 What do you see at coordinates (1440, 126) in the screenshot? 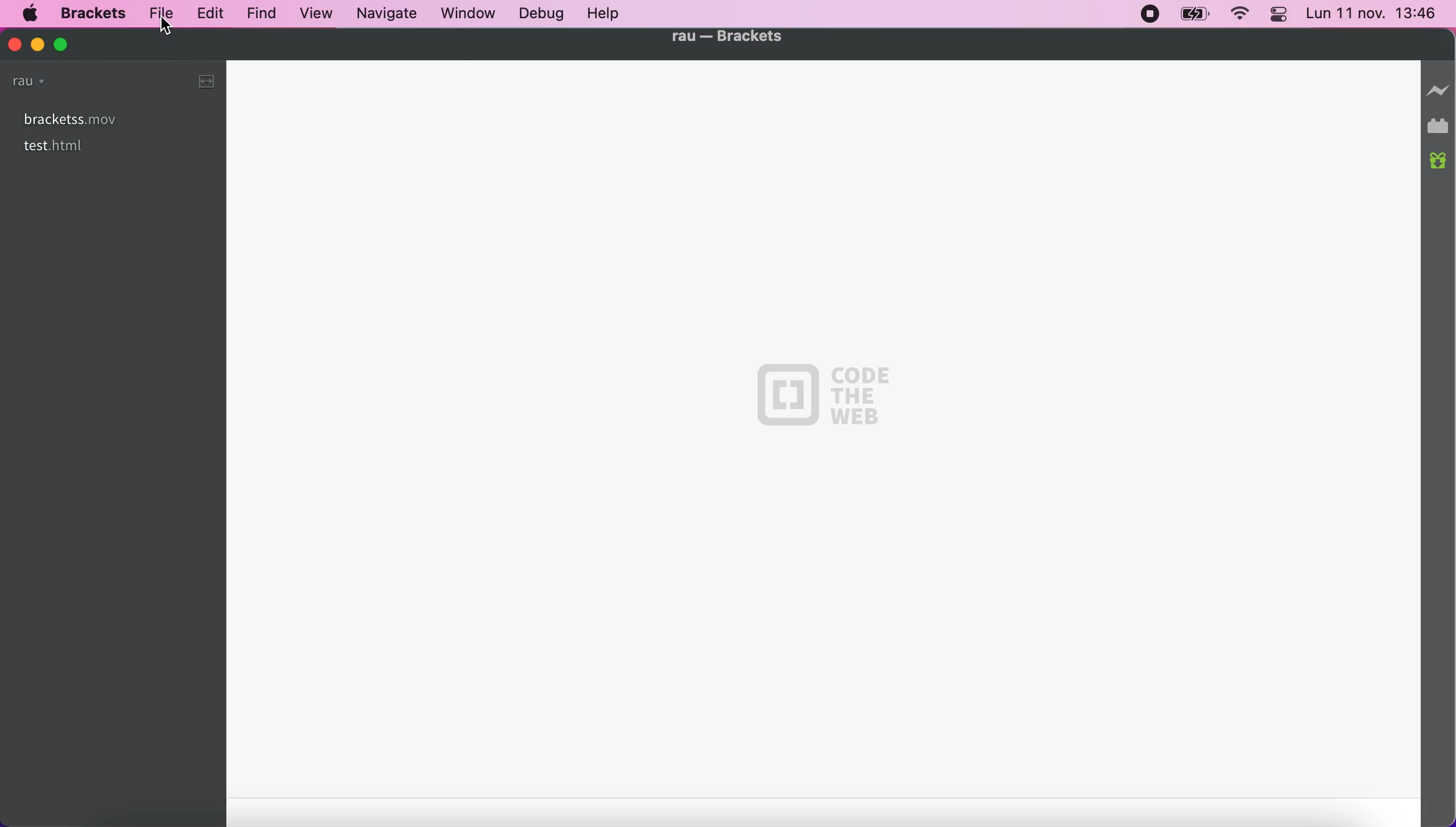
I see `extension manager` at bounding box center [1440, 126].